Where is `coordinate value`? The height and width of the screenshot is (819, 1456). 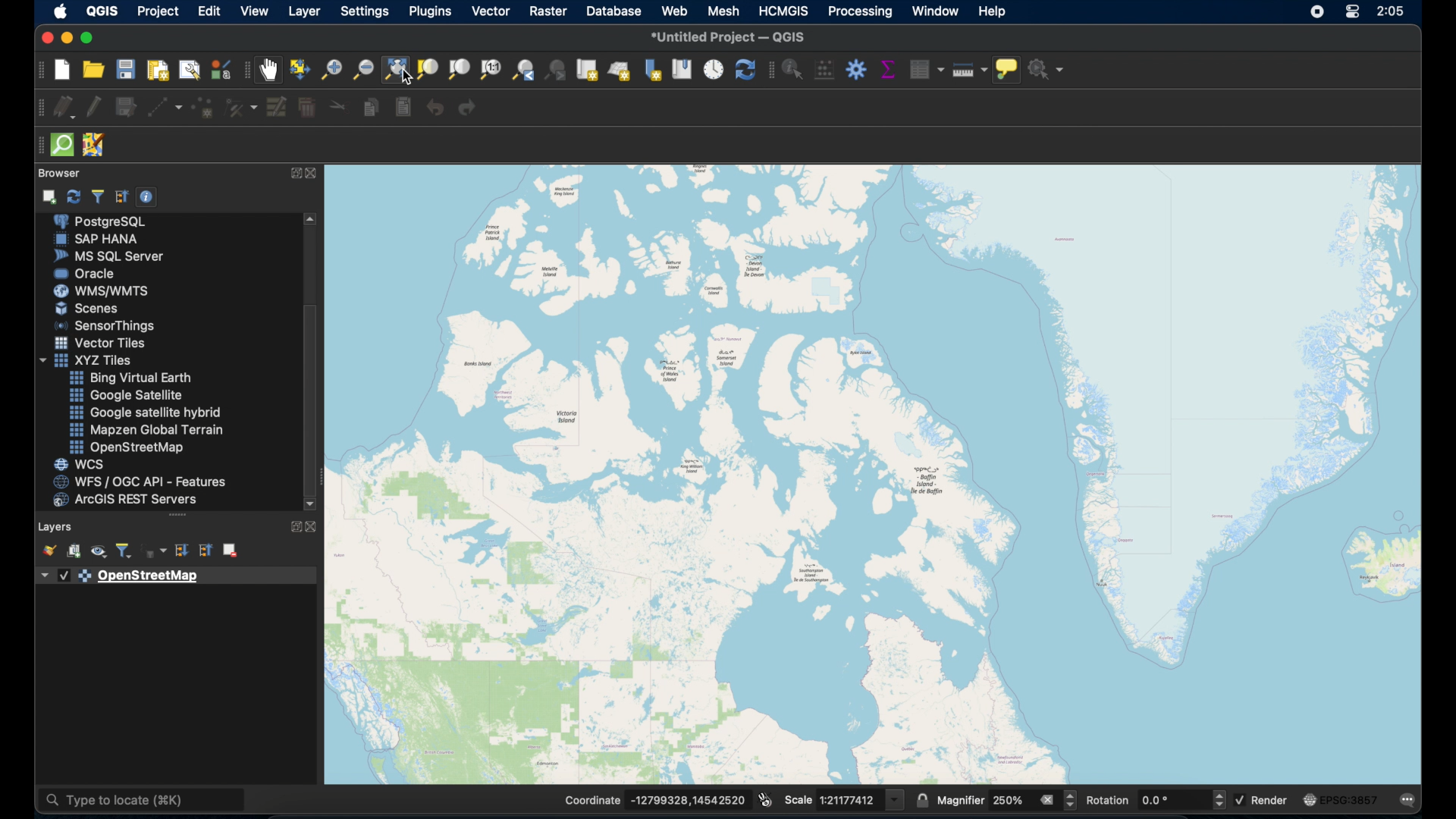 coordinate value is located at coordinates (689, 799).